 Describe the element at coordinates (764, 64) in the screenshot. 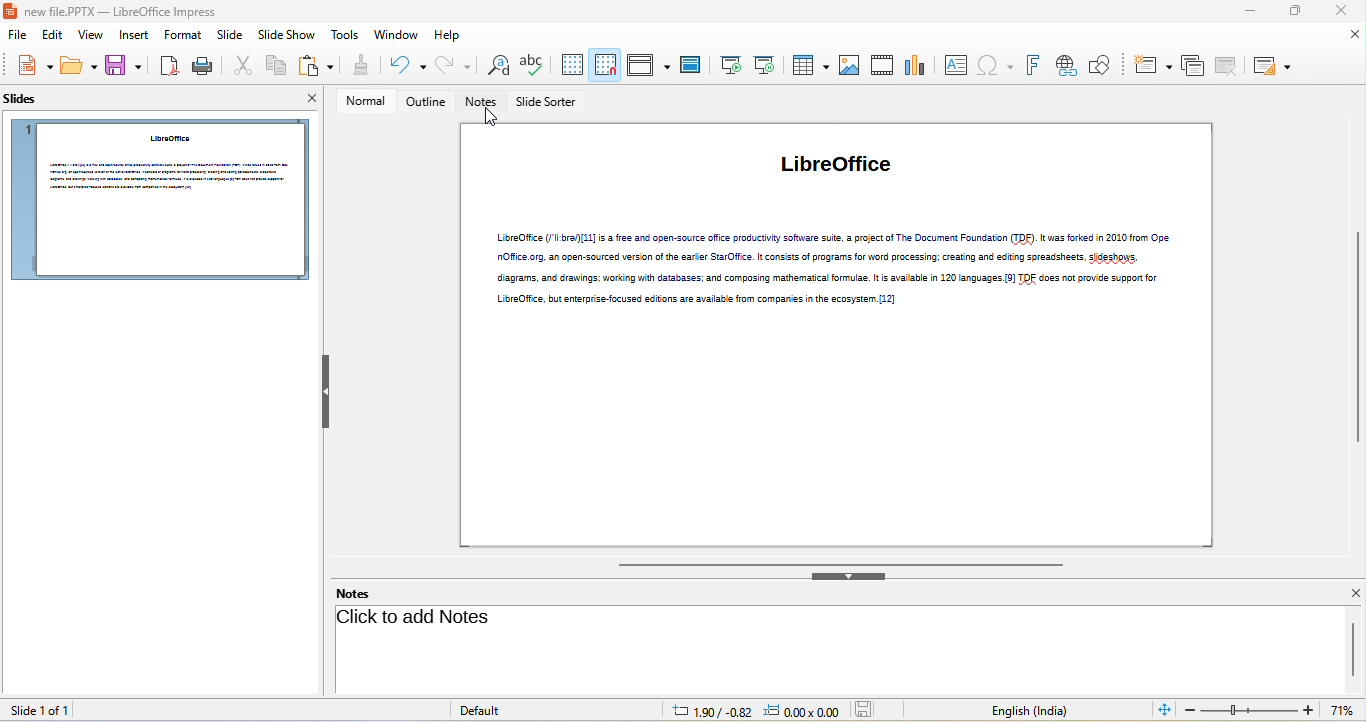

I see `start from current slide` at that location.